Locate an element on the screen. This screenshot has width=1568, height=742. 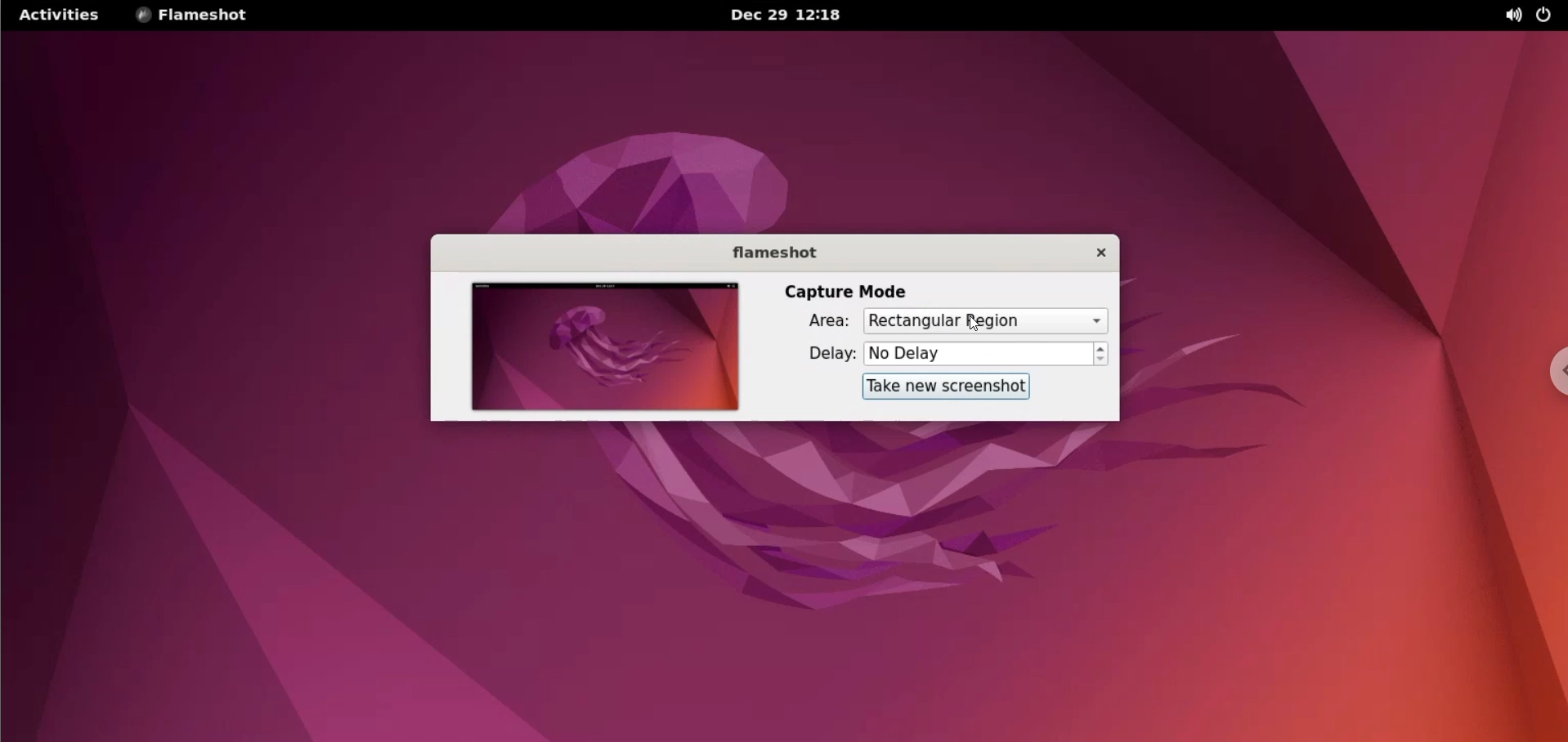
delay time is located at coordinates (979, 355).